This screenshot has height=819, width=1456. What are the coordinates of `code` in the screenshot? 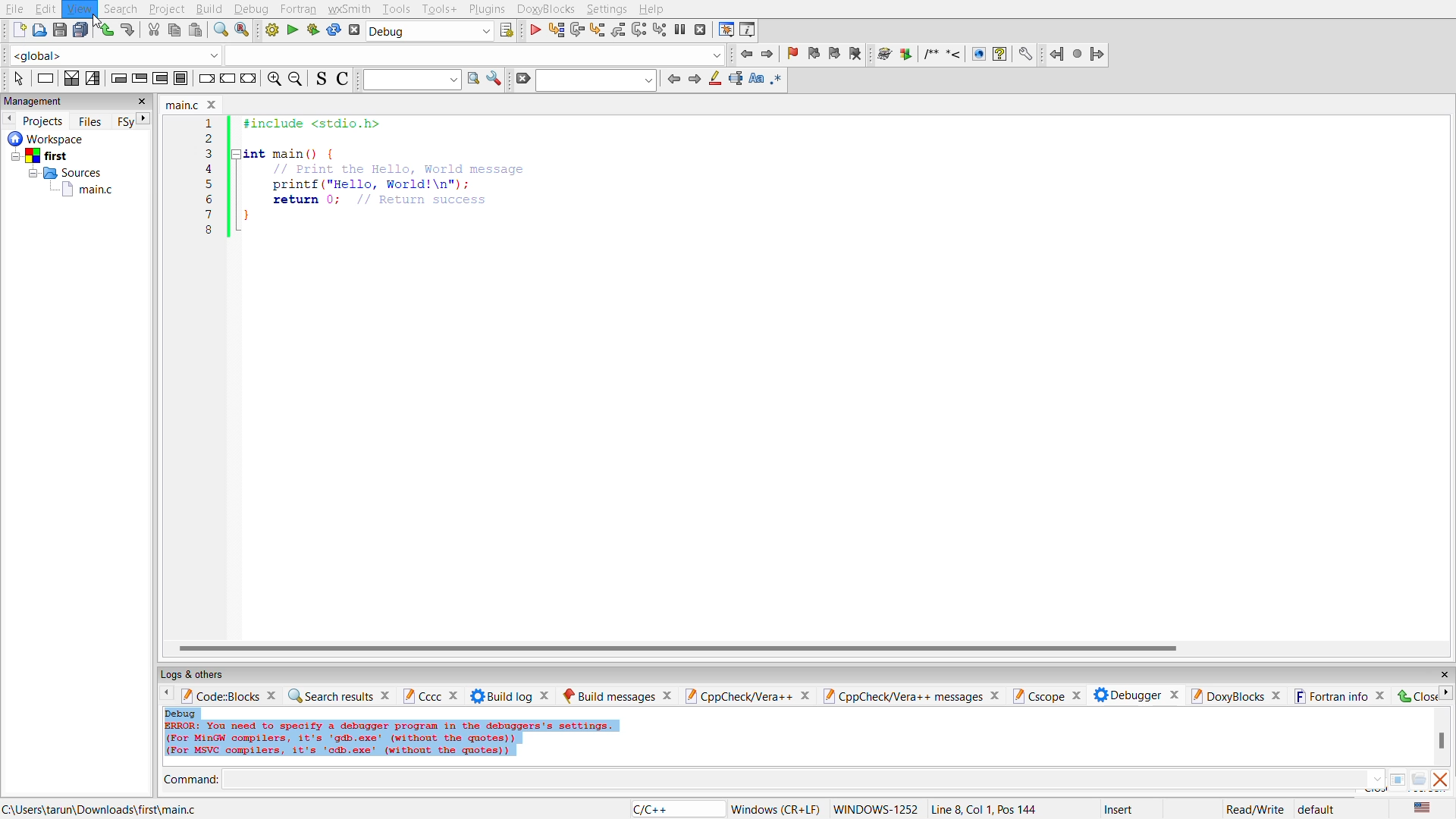 It's located at (391, 172).